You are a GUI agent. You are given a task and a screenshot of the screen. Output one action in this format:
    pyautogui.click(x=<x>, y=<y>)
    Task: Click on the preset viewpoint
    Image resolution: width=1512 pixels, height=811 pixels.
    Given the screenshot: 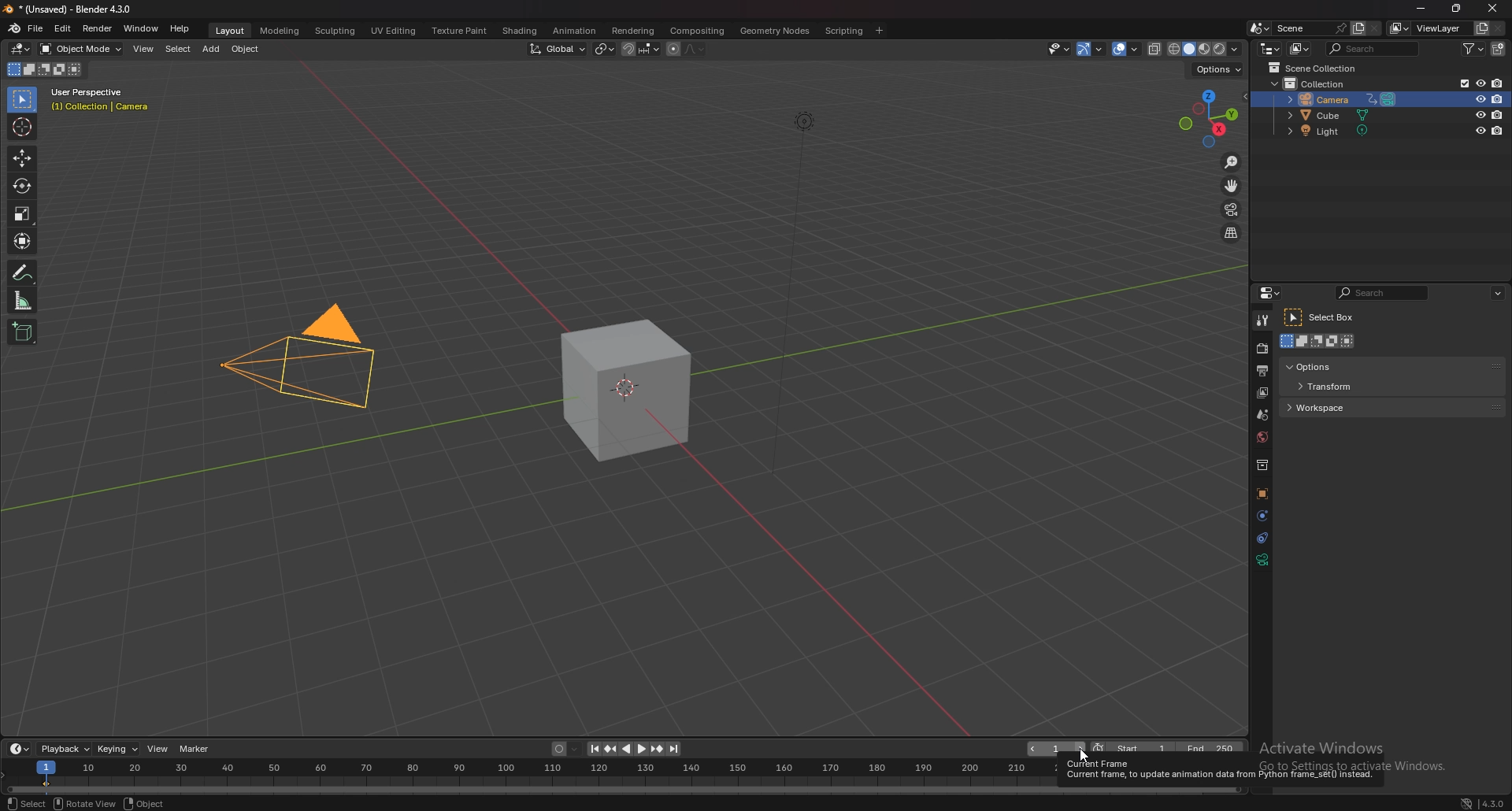 What is the action you would take?
    pyautogui.click(x=1208, y=118)
    